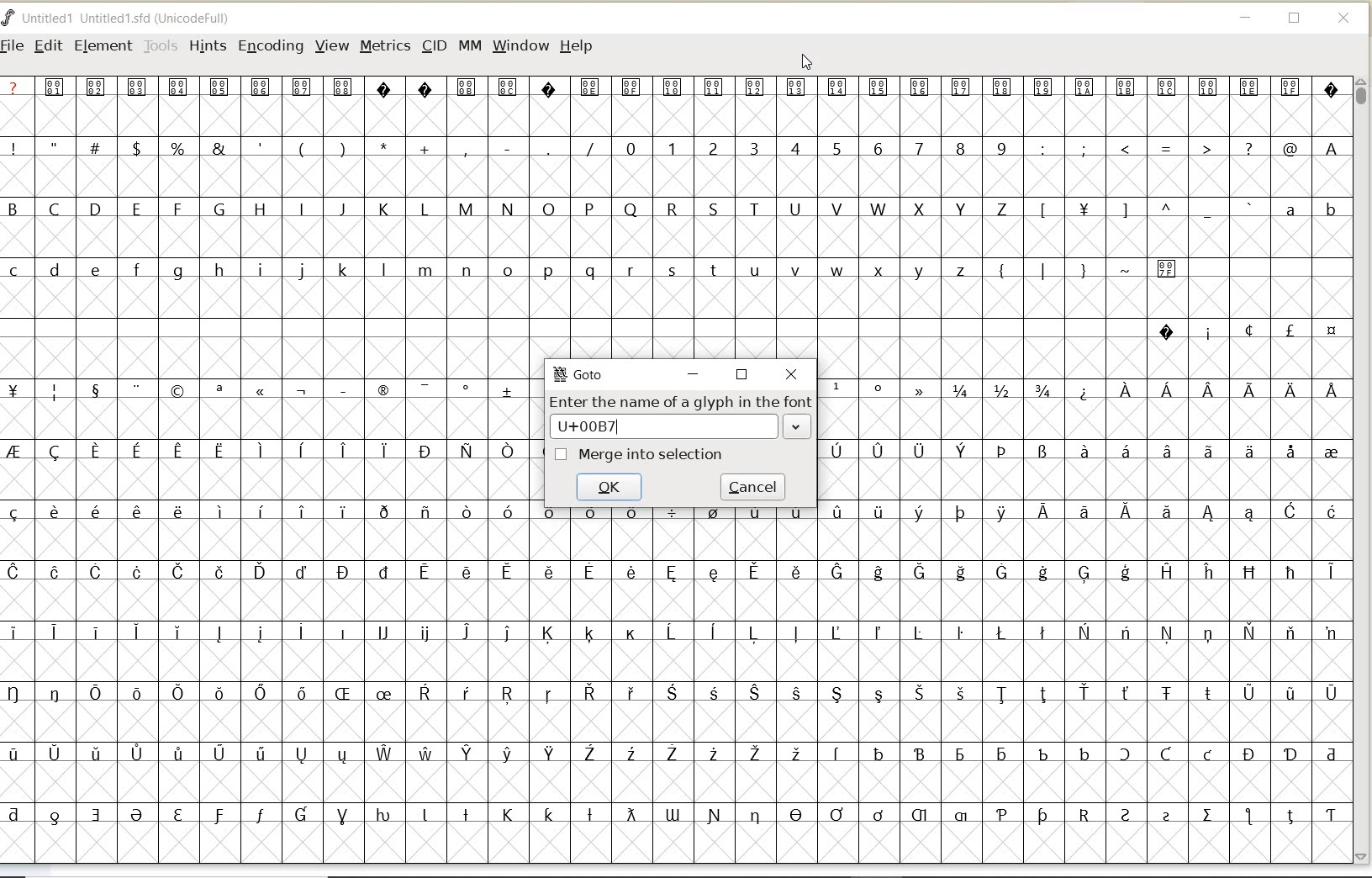 This screenshot has width=1372, height=878. Describe the element at coordinates (1247, 20) in the screenshot. I see `MINIMIZE` at that location.